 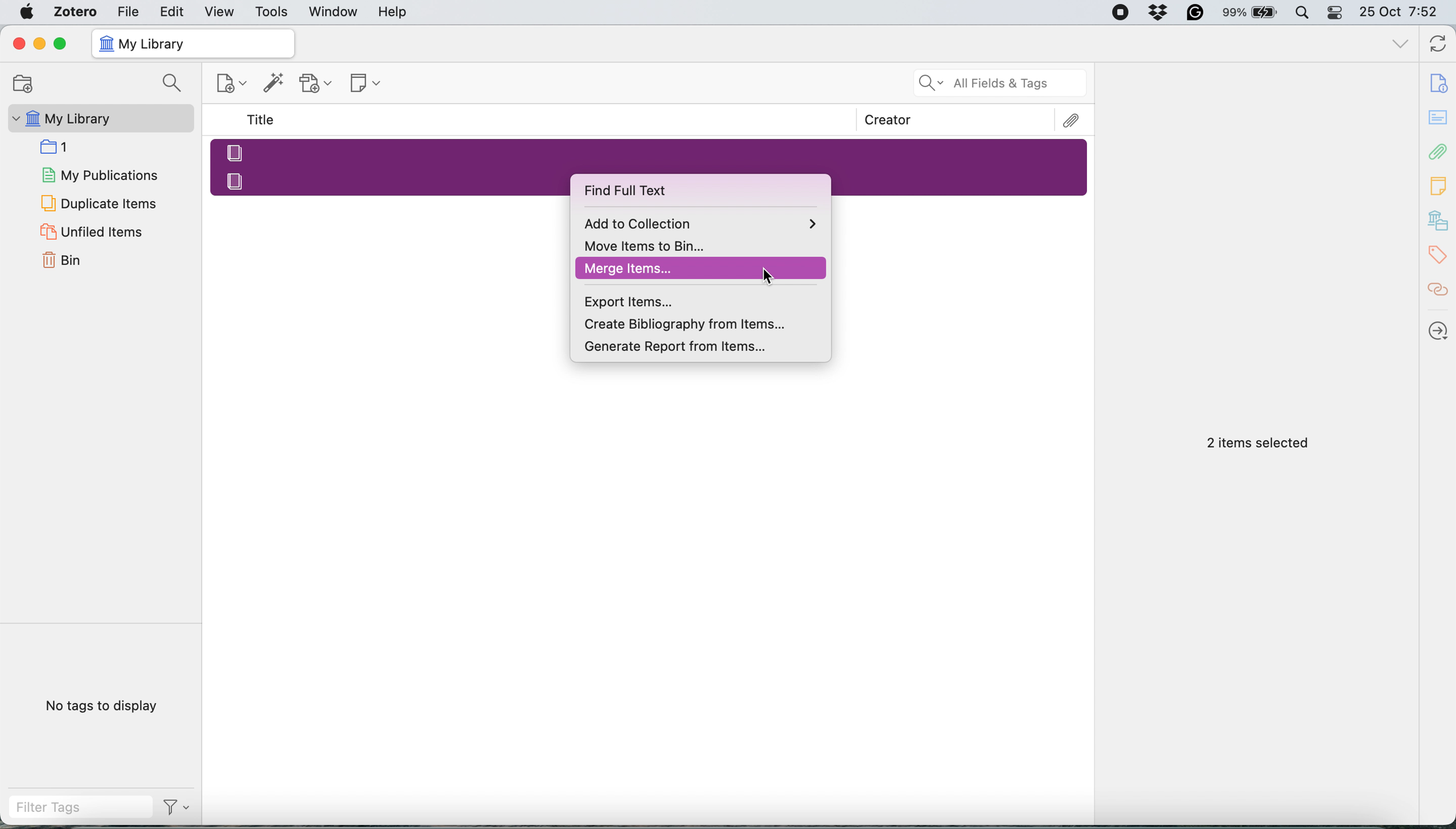 I want to click on Dropbox, so click(x=1159, y=12).